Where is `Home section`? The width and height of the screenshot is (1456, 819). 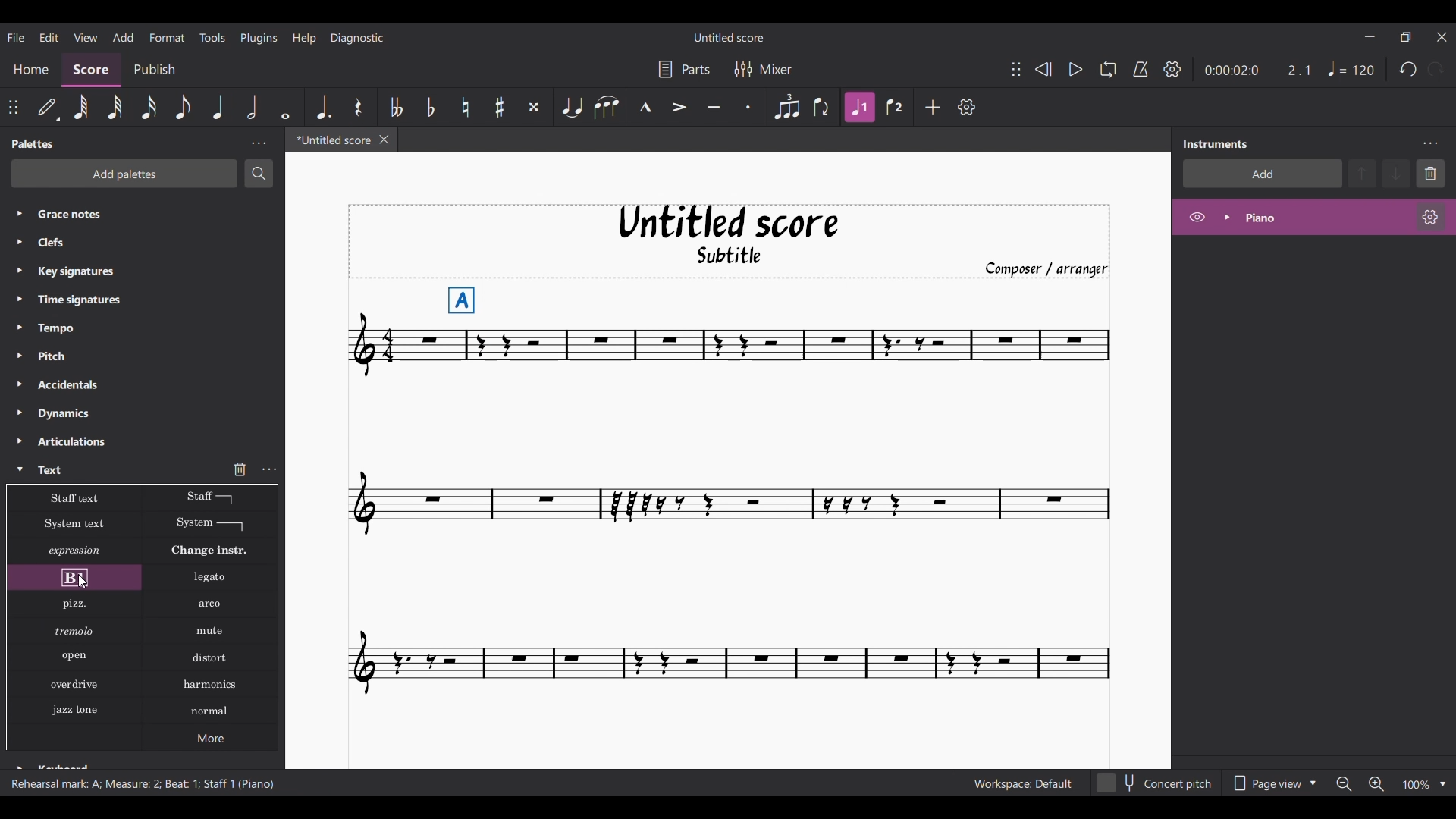
Home section is located at coordinates (31, 69).